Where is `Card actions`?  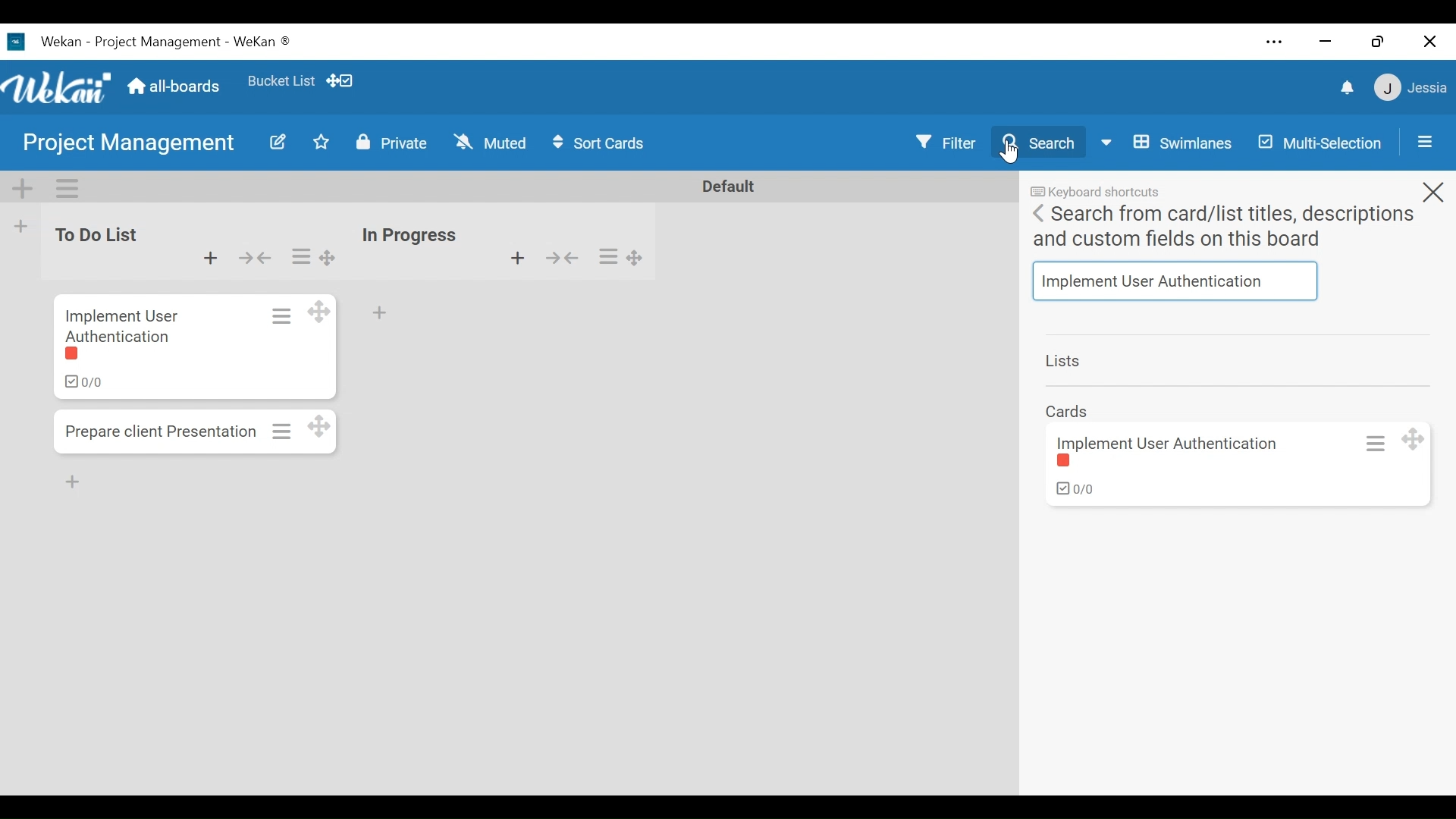 Card actions is located at coordinates (1370, 443).